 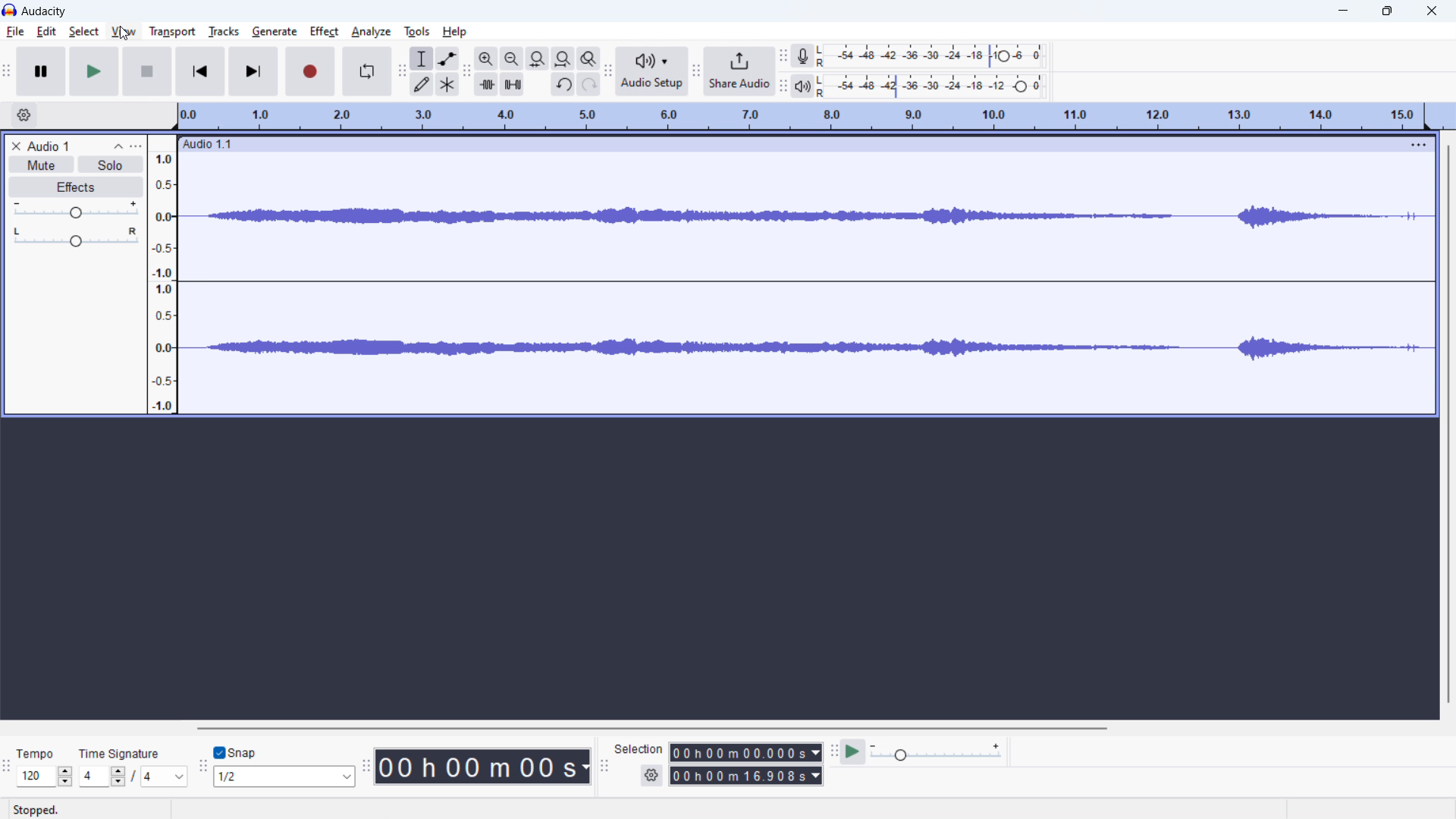 What do you see at coordinates (46, 33) in the screenshot?
I see `edit` at bounding box center [46, 33].